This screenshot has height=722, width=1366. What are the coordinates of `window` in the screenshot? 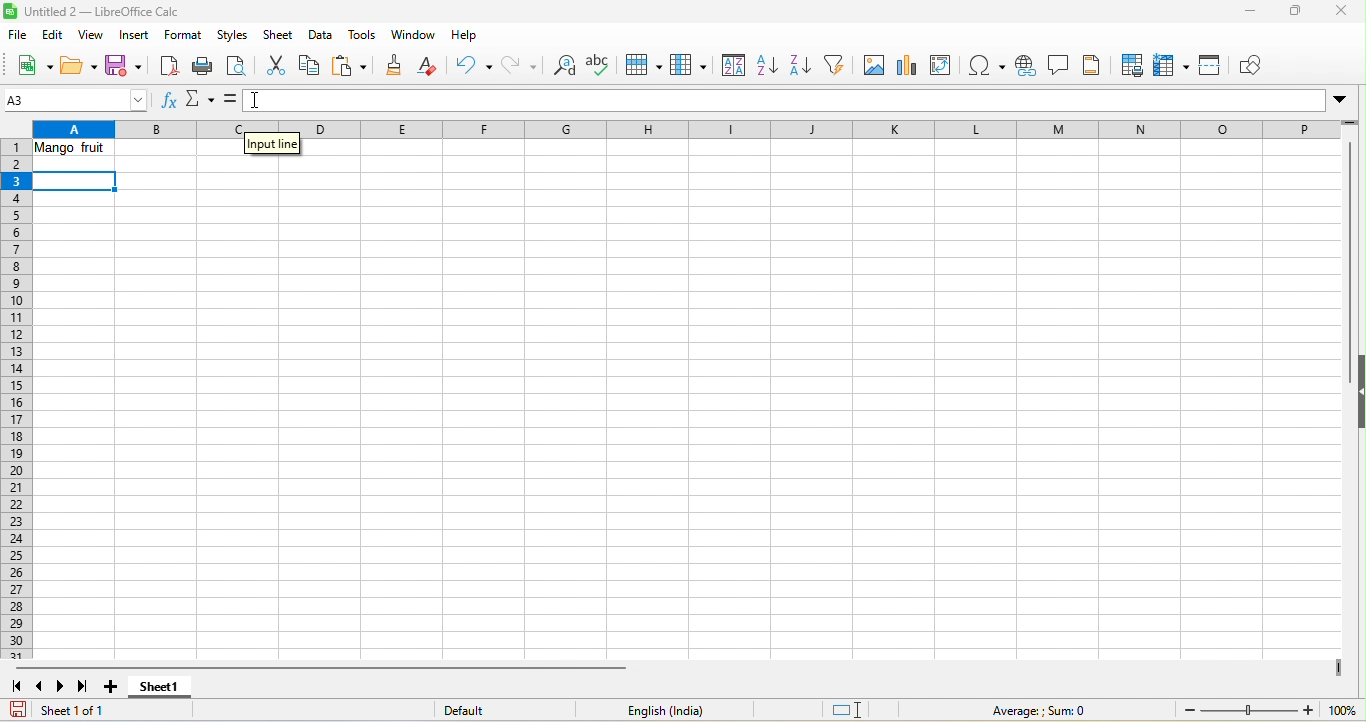 It's located at (412, 34).